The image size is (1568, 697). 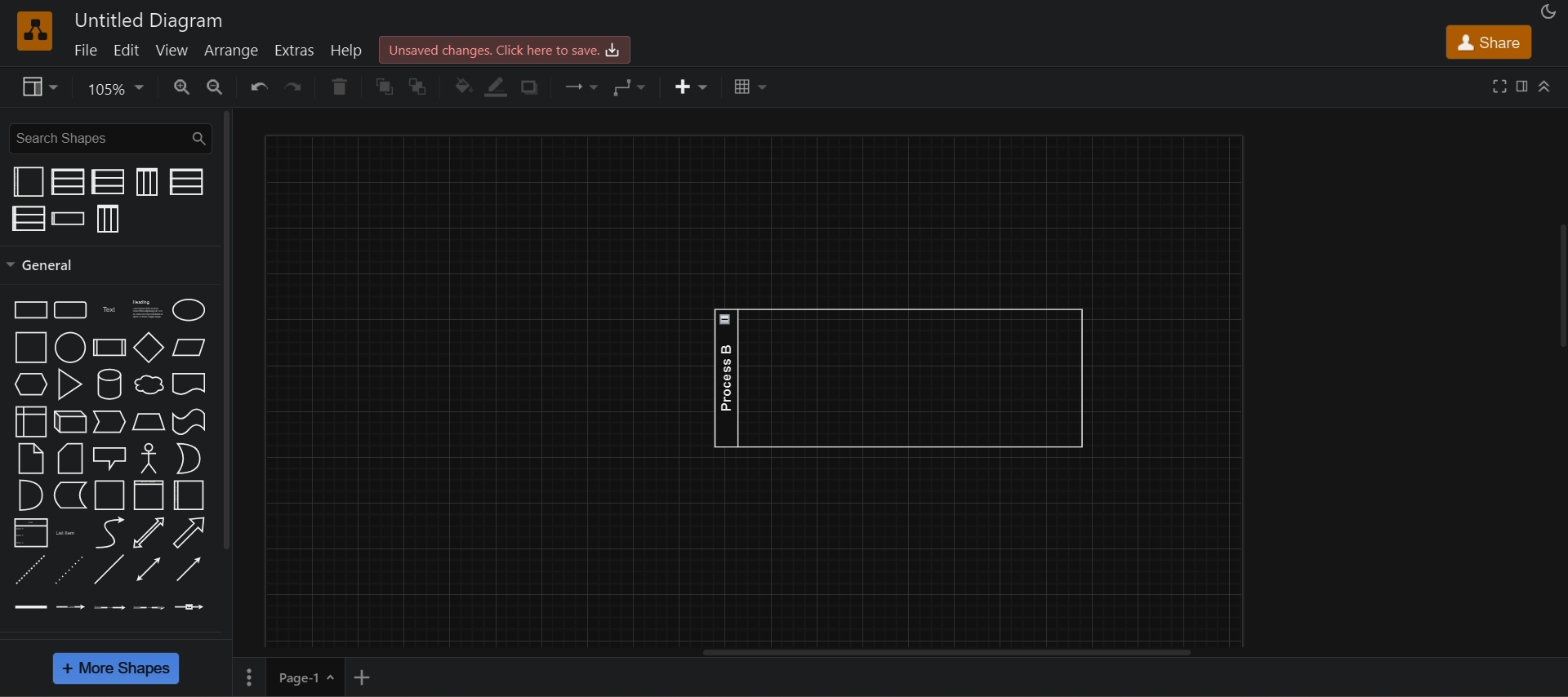 What do you see at coordinates (29, 309) in the screenshot?
I see `rectangle` at bounding box center [29, 309].